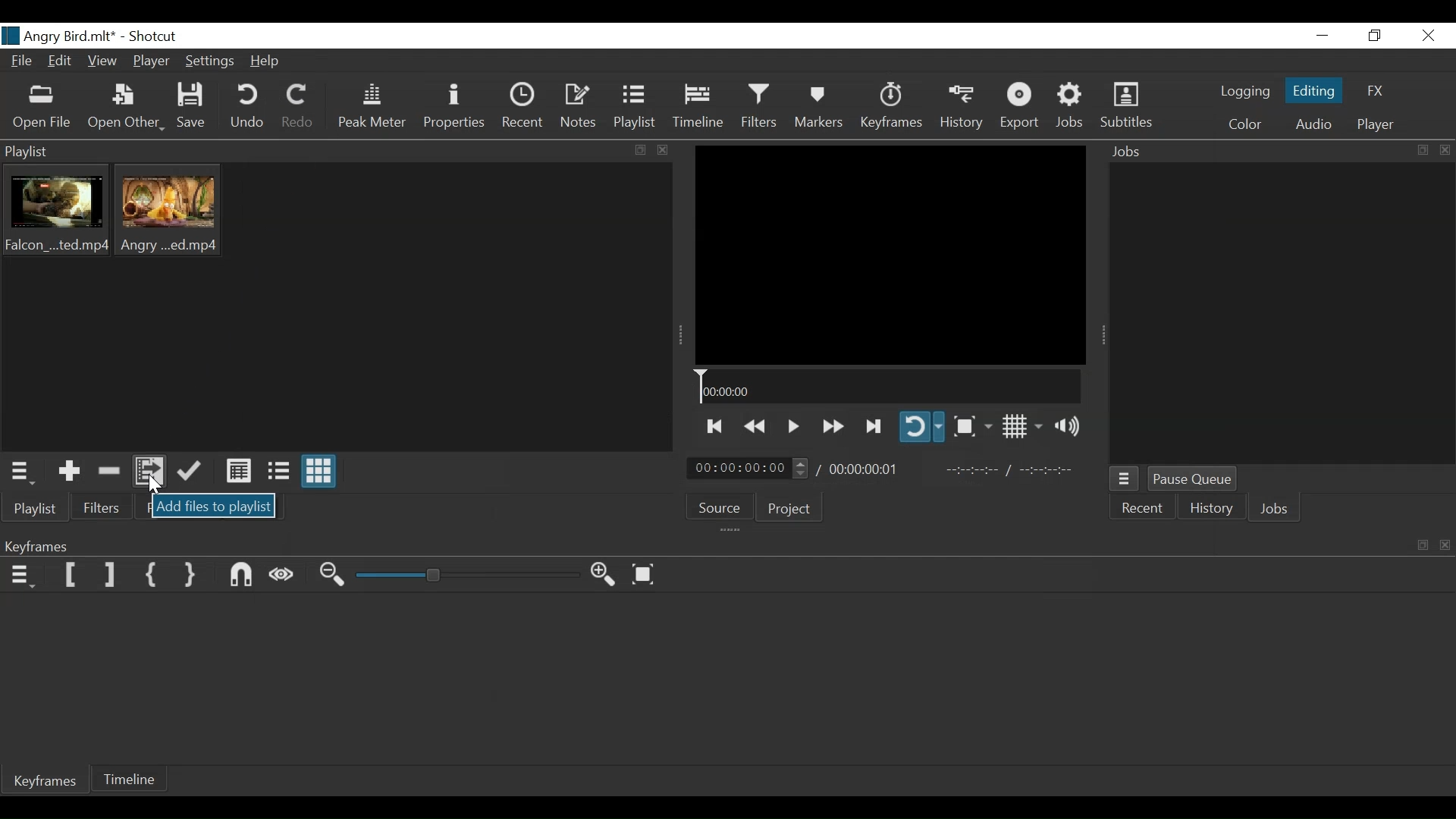 This screenshot has width=1456, height=819. Describe the element at coordinates (102, 508) in the screenshot. I see `Filter` at that location.